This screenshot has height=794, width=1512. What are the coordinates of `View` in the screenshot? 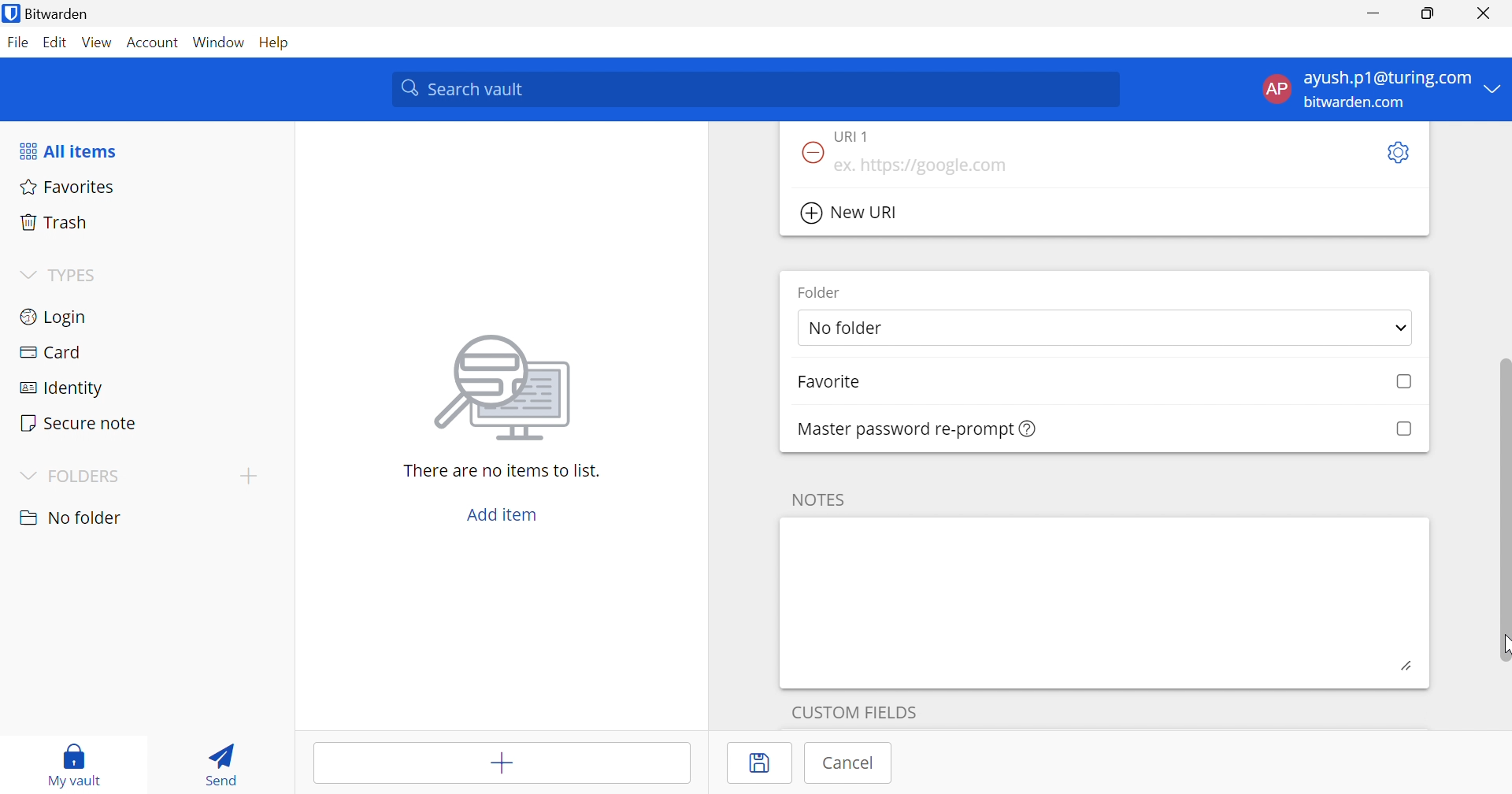 It's located at (96, 42).